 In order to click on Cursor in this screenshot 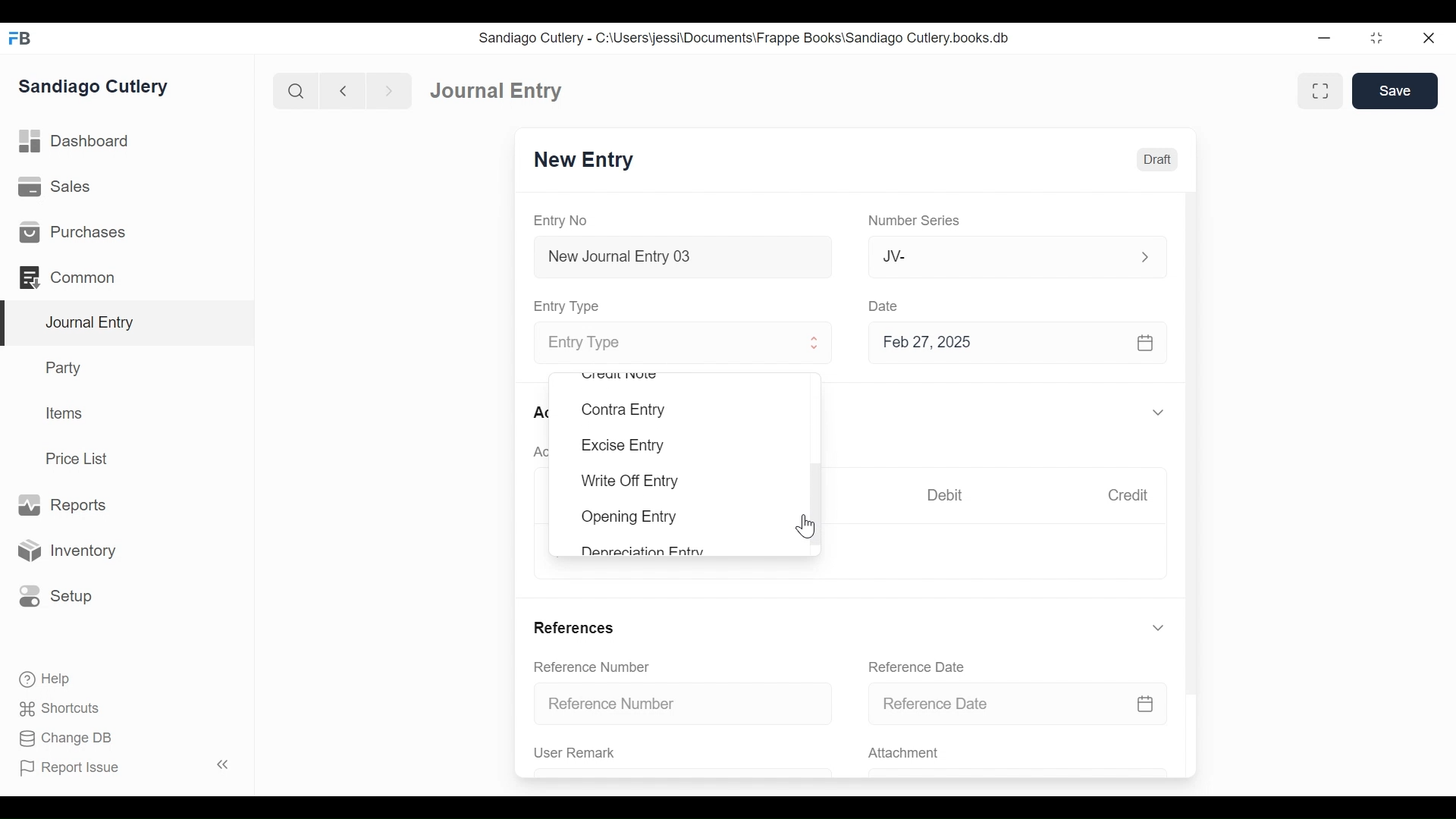, I will do `click(806, 526)`.